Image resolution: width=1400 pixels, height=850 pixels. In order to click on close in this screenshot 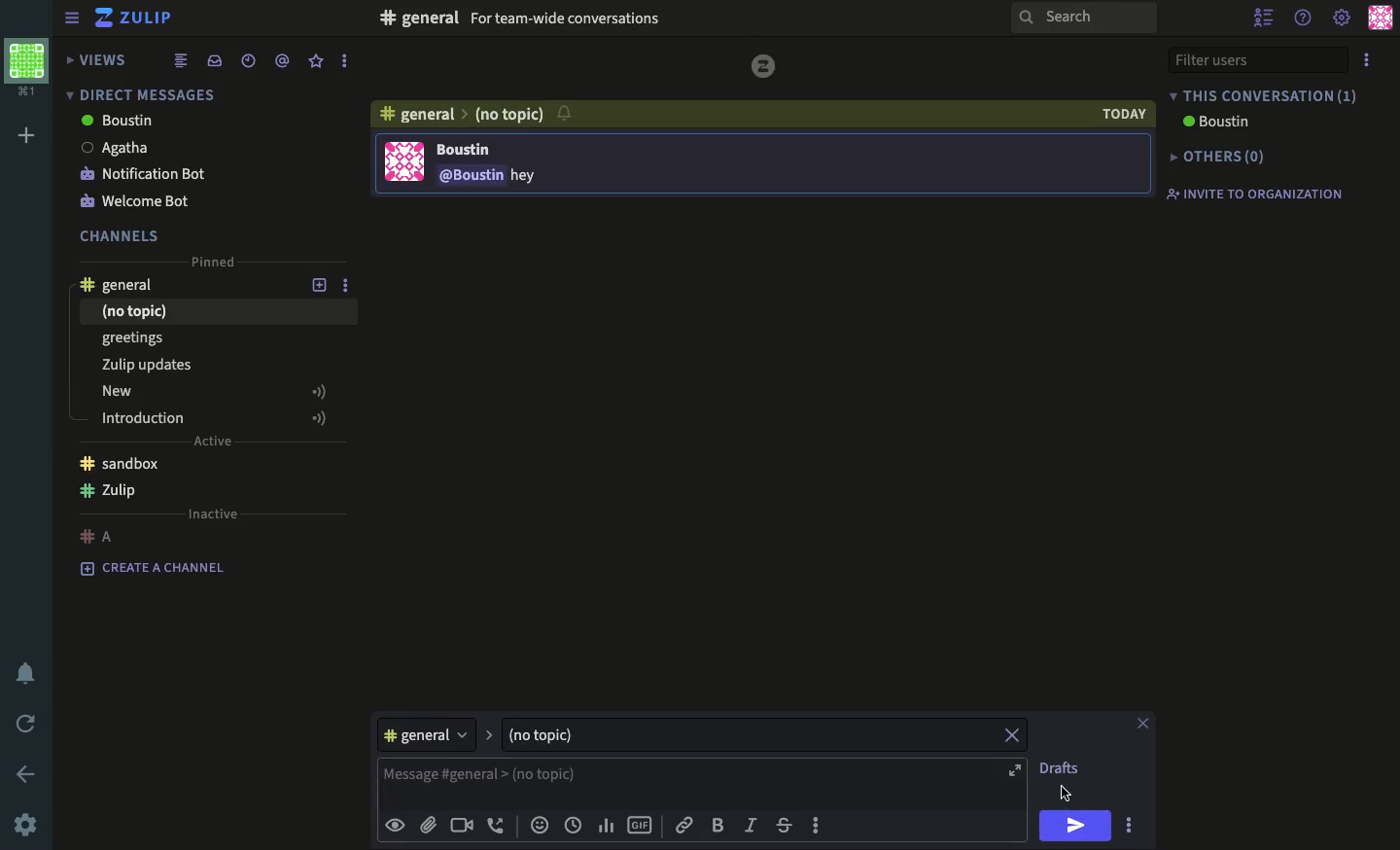, I will do `click(1143, 724)`.